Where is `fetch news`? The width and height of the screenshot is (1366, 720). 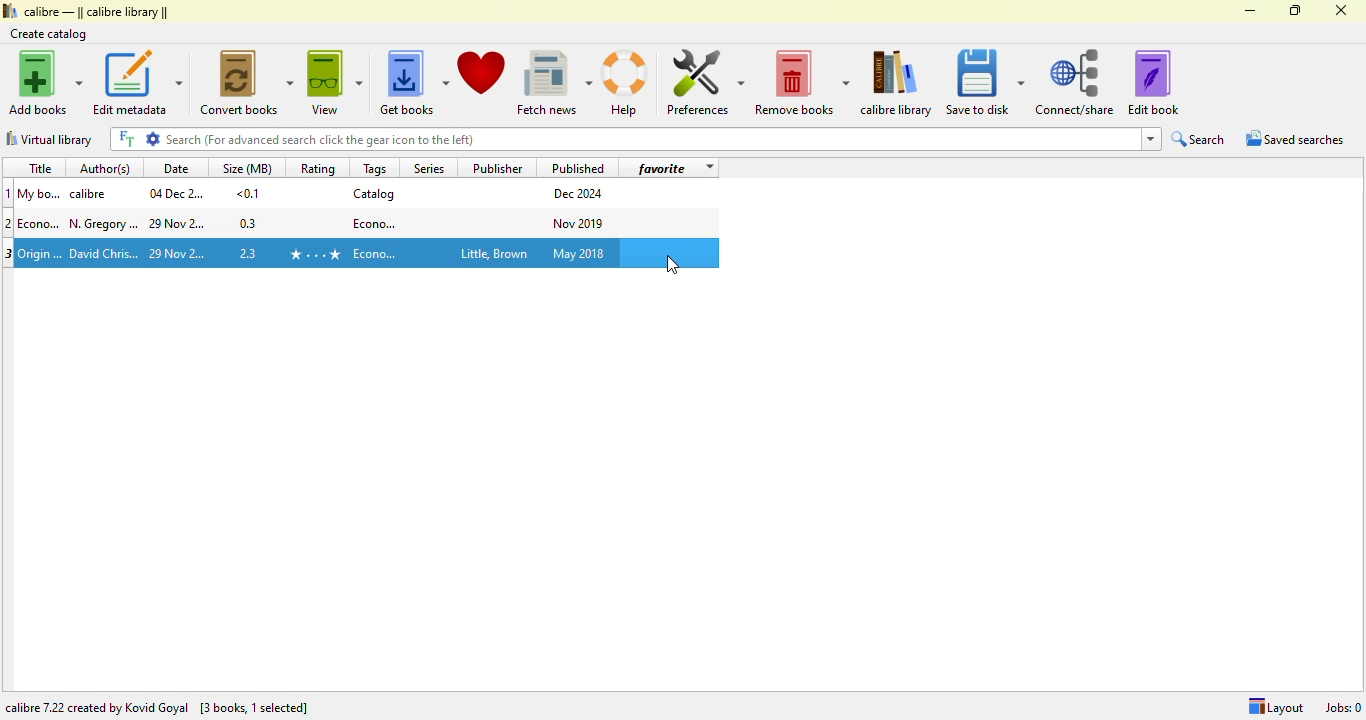 fetch news is located at coordinates (554, 83).